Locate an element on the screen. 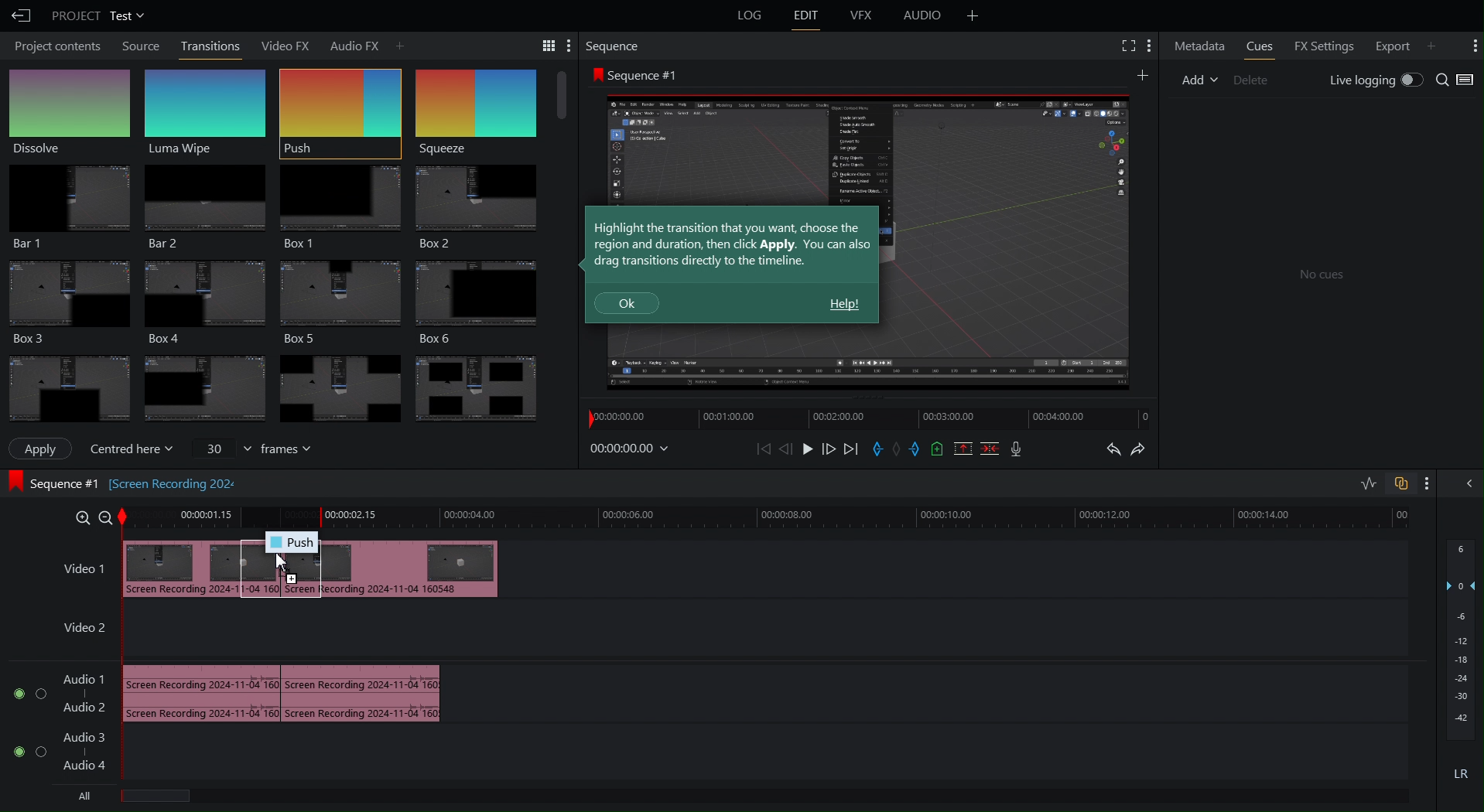 Image resolution: width=1484 pixels, height=812 pixels. Push is located at coordinates (339, 112).